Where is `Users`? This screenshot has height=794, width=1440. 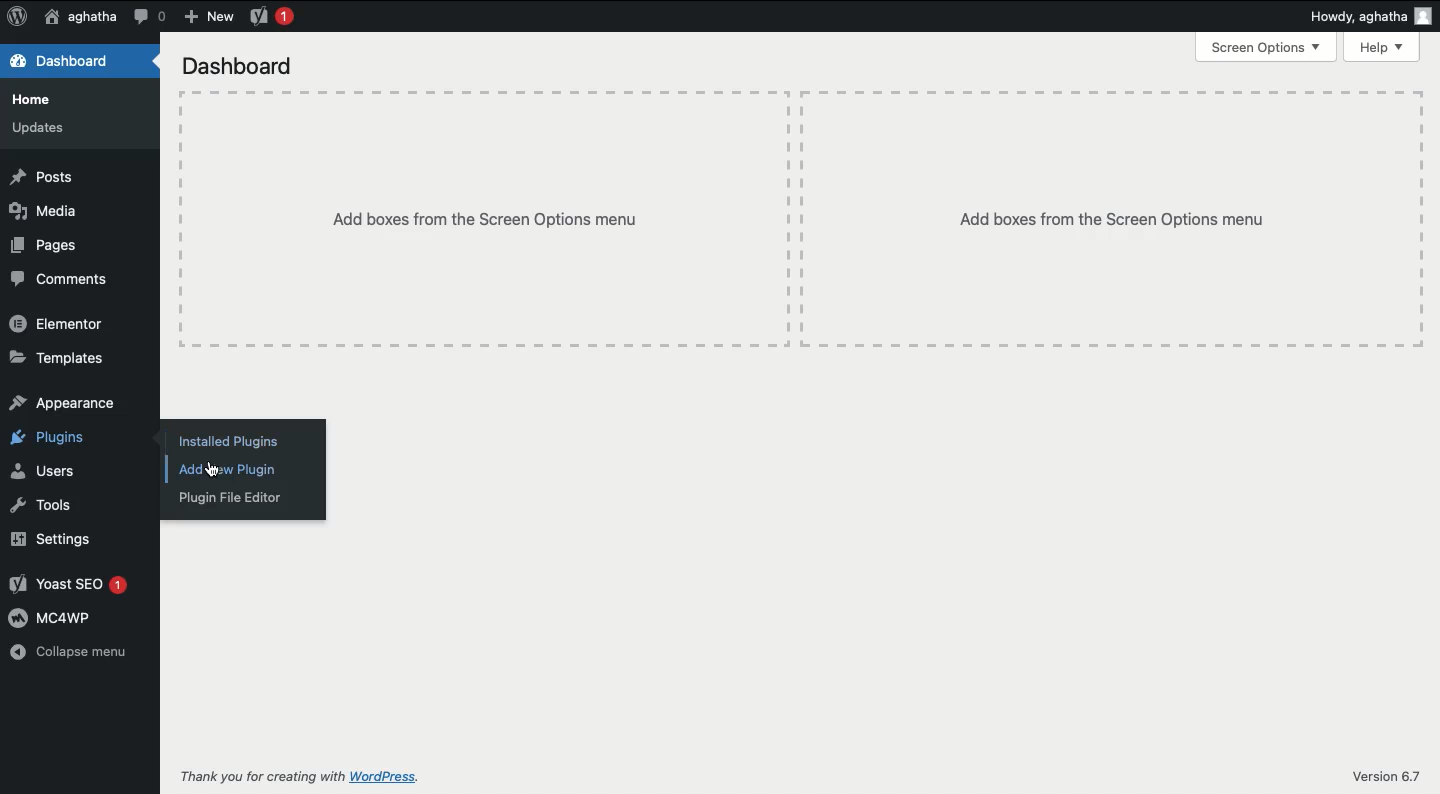
Users is located at coordinates (43, 471).